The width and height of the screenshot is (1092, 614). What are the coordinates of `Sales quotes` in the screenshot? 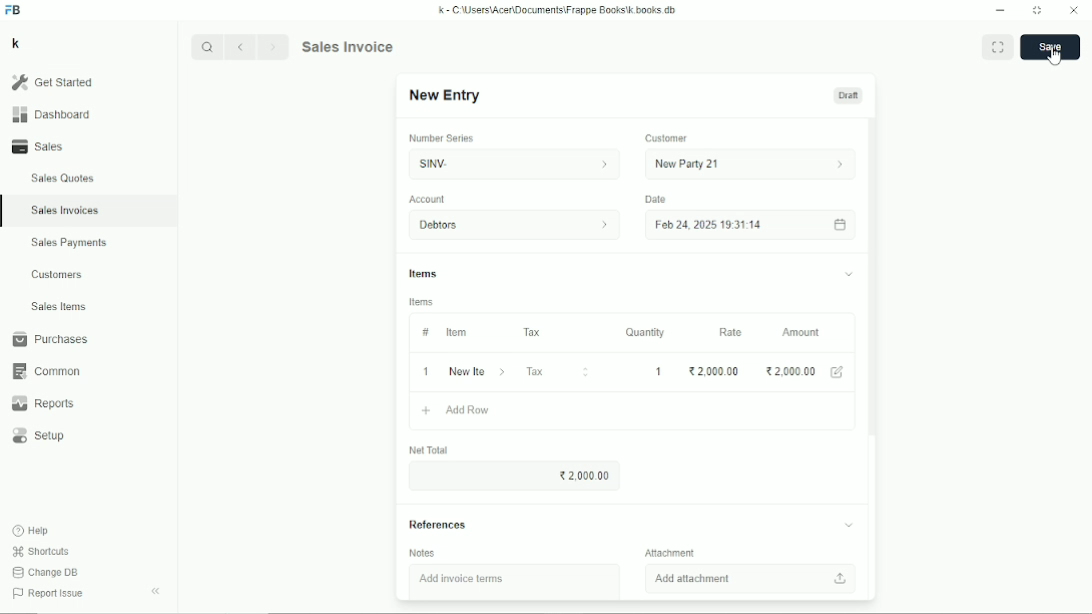 It's located at (61, 178).